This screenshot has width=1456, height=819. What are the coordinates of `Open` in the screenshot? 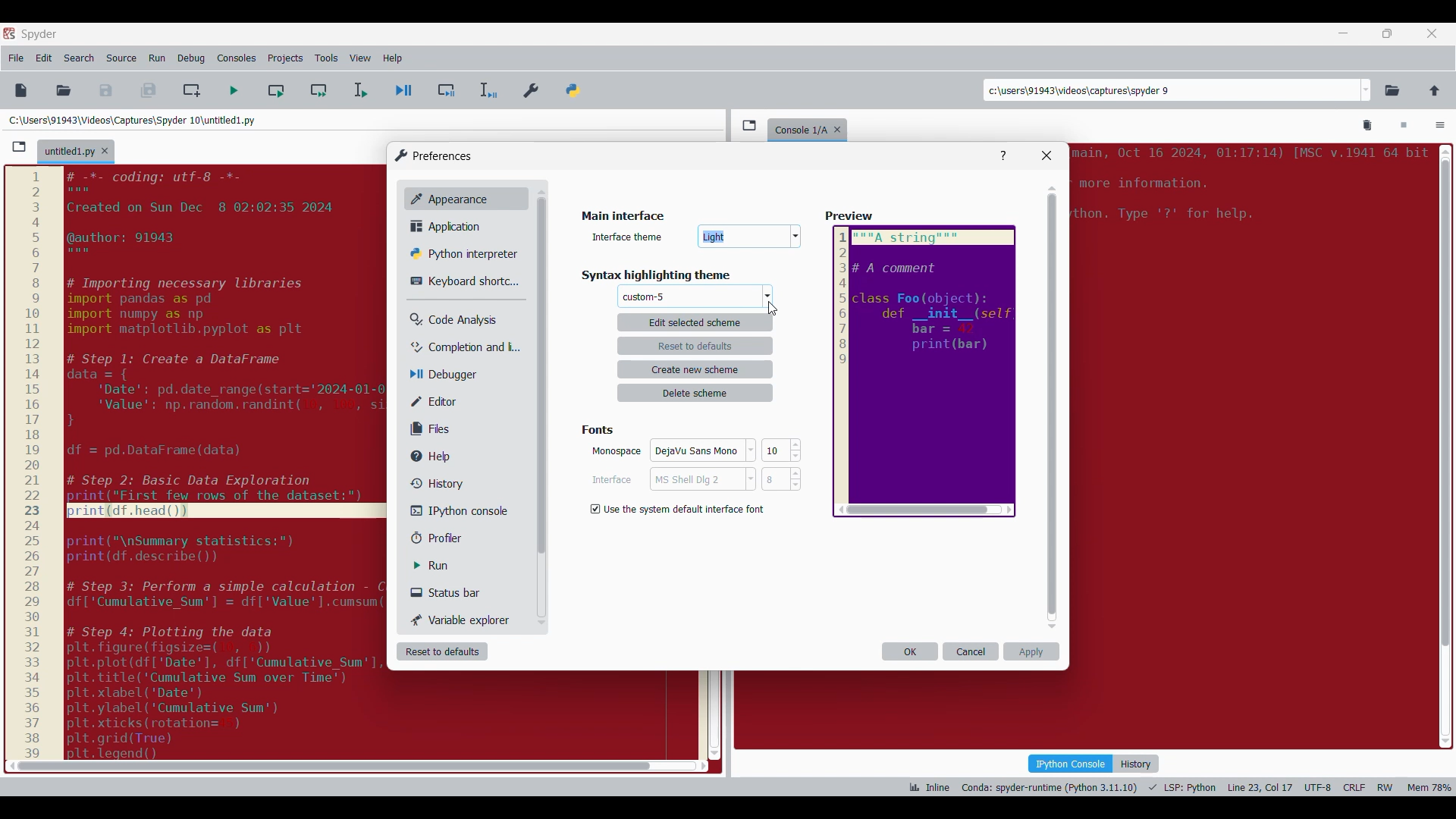 It's located at (64, 90).